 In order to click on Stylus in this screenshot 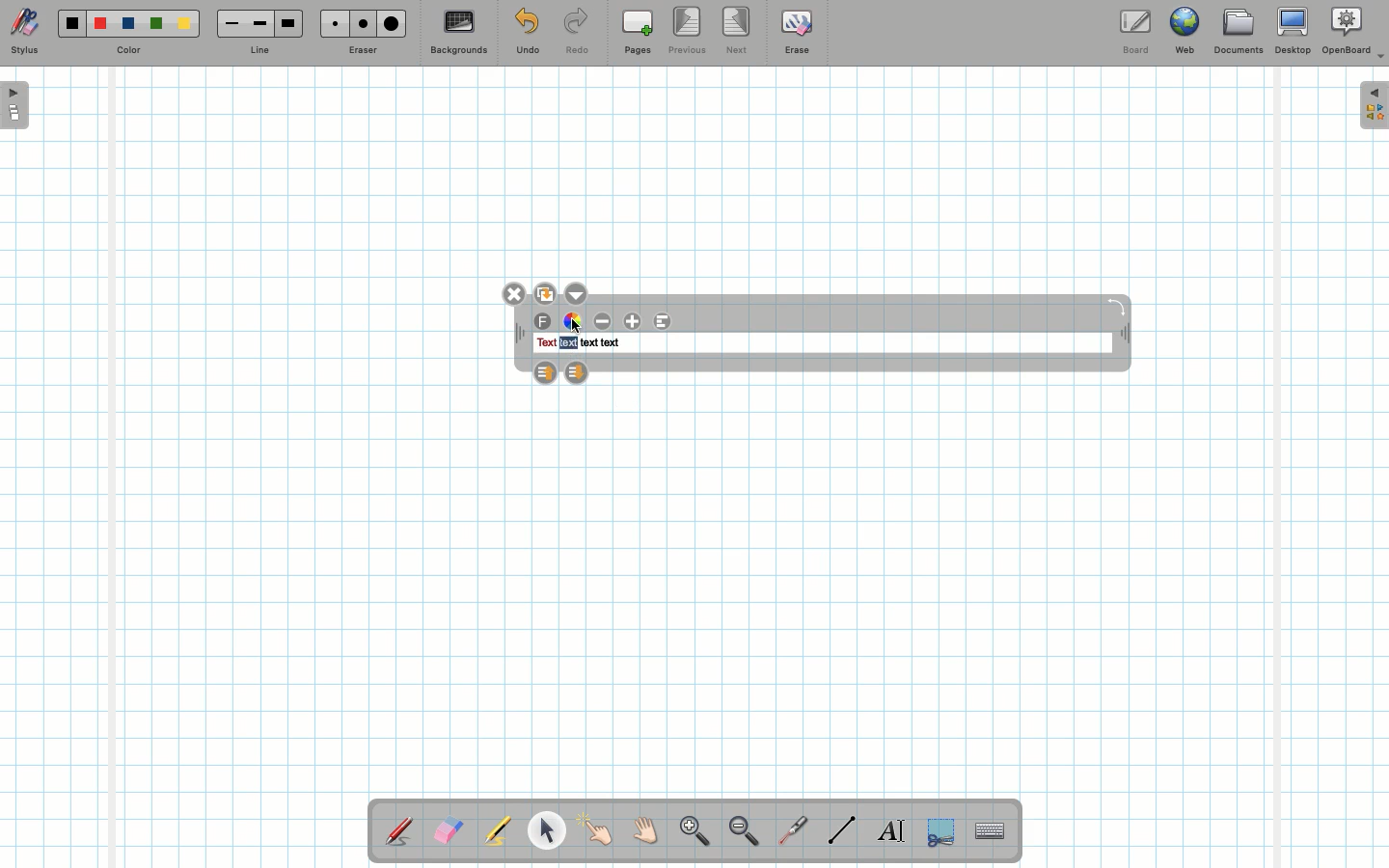, I will do `click(24, 32)`.